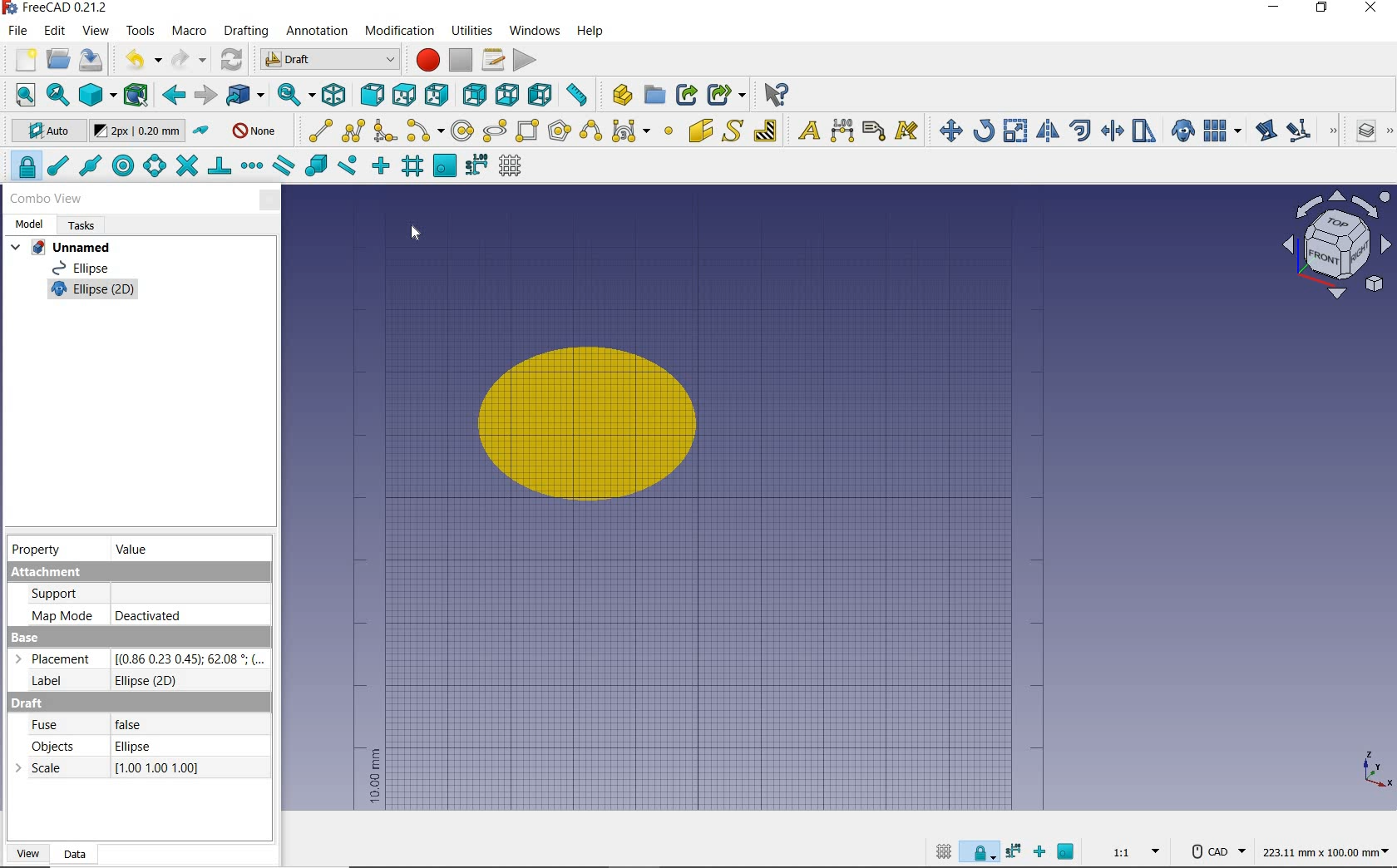 Image resolution: width=1397 pixels, height=868 pixels. I want to click on unnamed, so click(65, 246).